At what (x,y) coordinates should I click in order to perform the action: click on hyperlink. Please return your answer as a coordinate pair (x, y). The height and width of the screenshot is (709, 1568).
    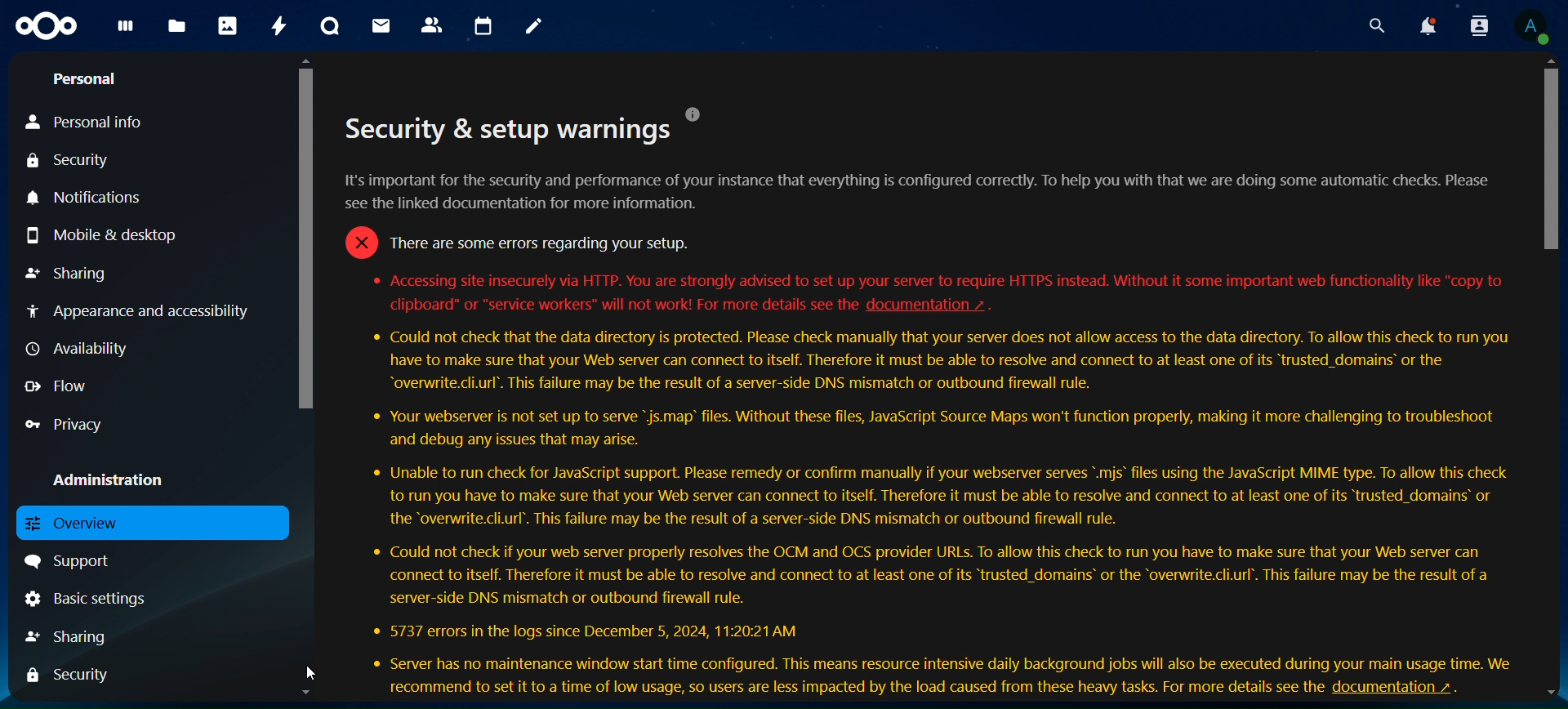
    Looking at the image, I should click on (928, 305).